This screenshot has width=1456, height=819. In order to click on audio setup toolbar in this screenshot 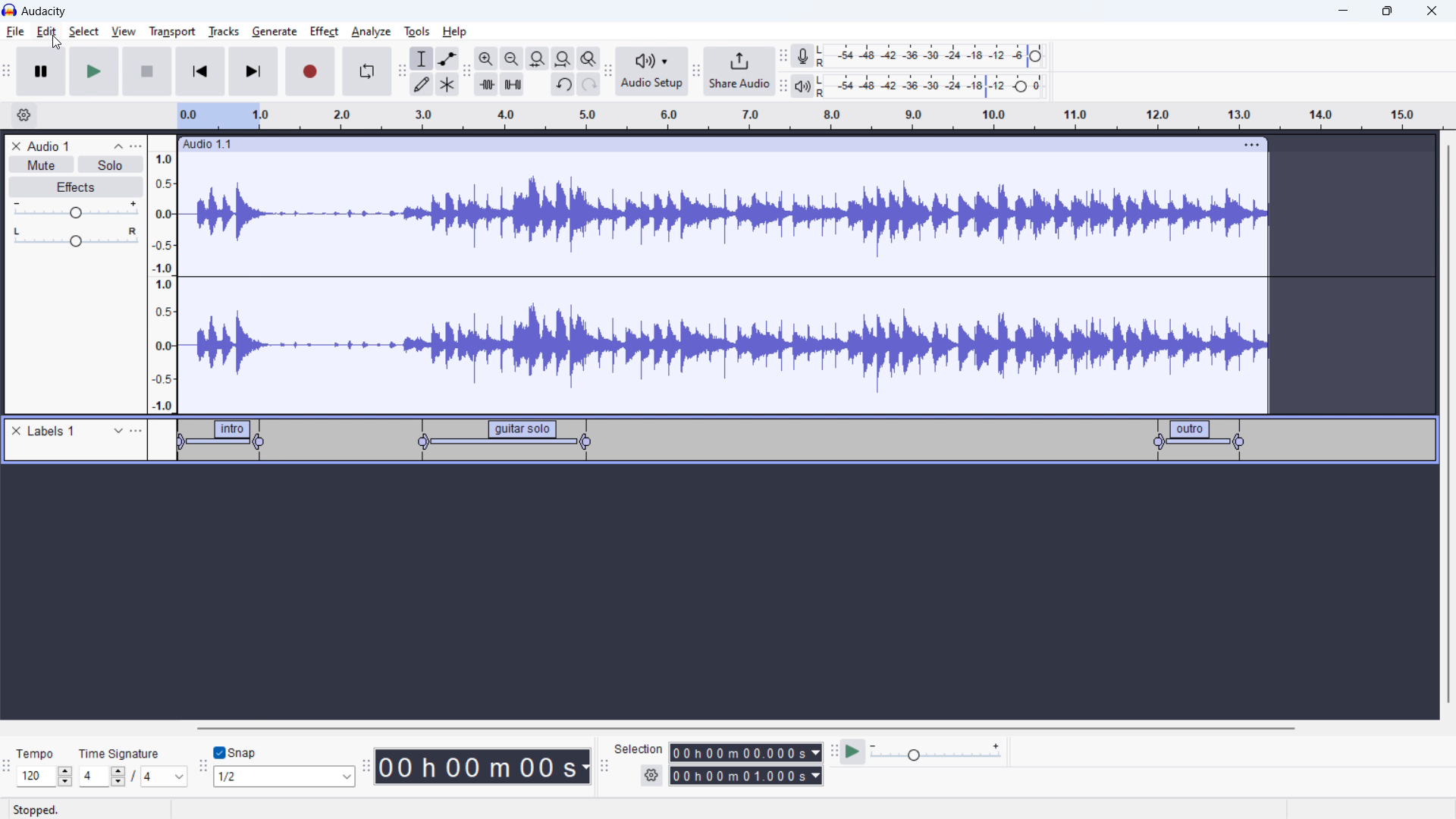, I will do `click(607, 71)`.